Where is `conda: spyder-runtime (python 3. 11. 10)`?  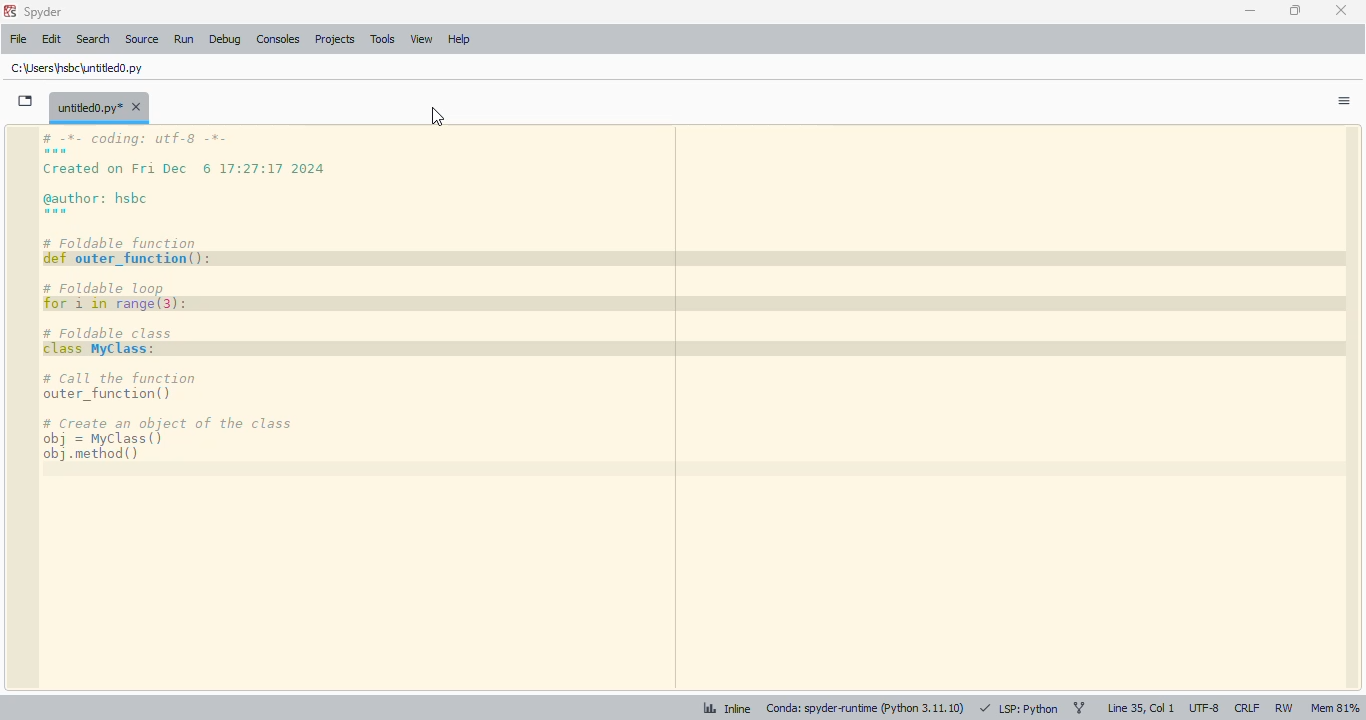
conda: spyder-runtime (python 3. 11. 10) is located at coordinates (866, 707).